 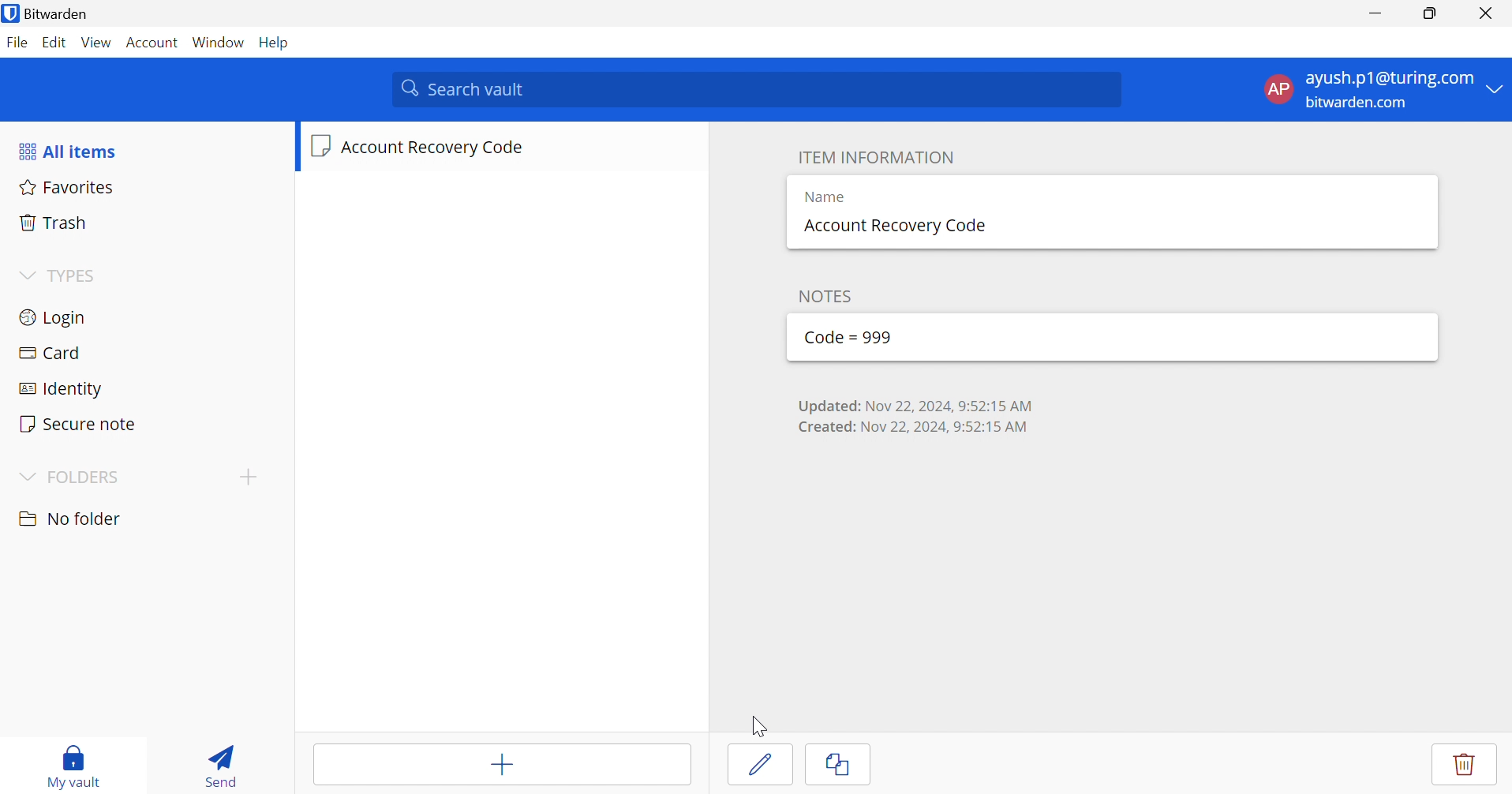 What do you see at coordinates (852, 338) in the screenshot?
I see `Code = 999` at bounding box center [852, 338].